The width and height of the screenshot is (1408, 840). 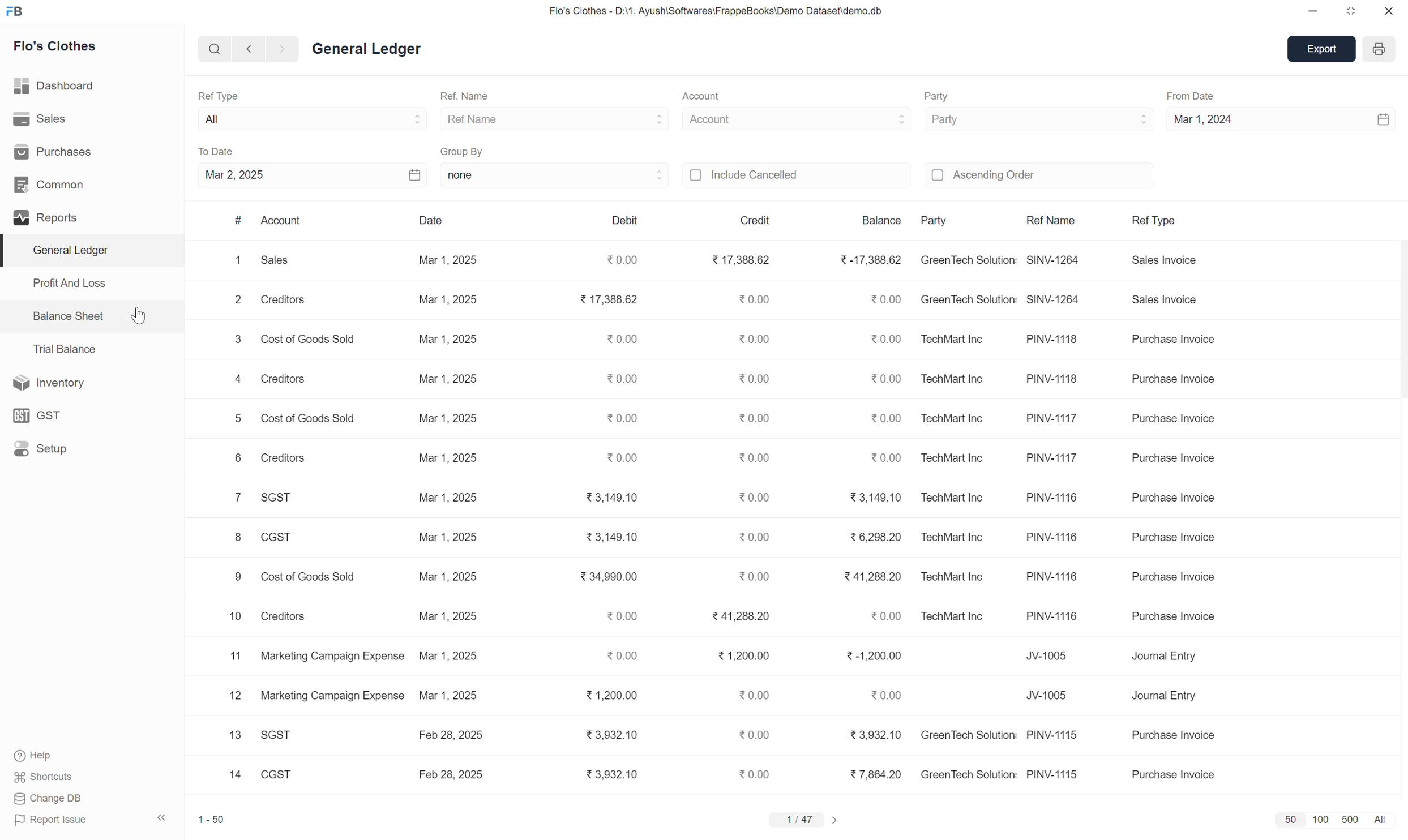 What do you see at coordinates (450, 498) in the screenshot?
I see `Mar 1, 2025` at bounding box center [450, 498].